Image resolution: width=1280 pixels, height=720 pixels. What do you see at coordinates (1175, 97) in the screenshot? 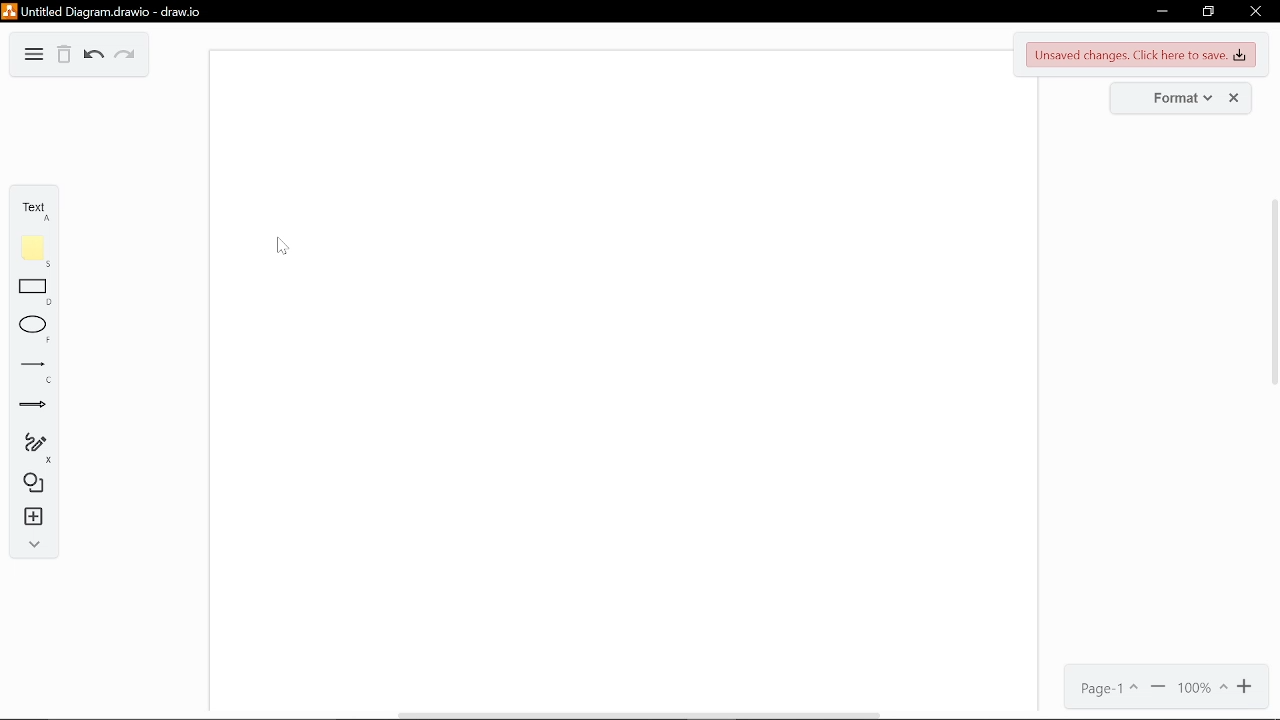
I see `format` at bounding box center [1175, 97].